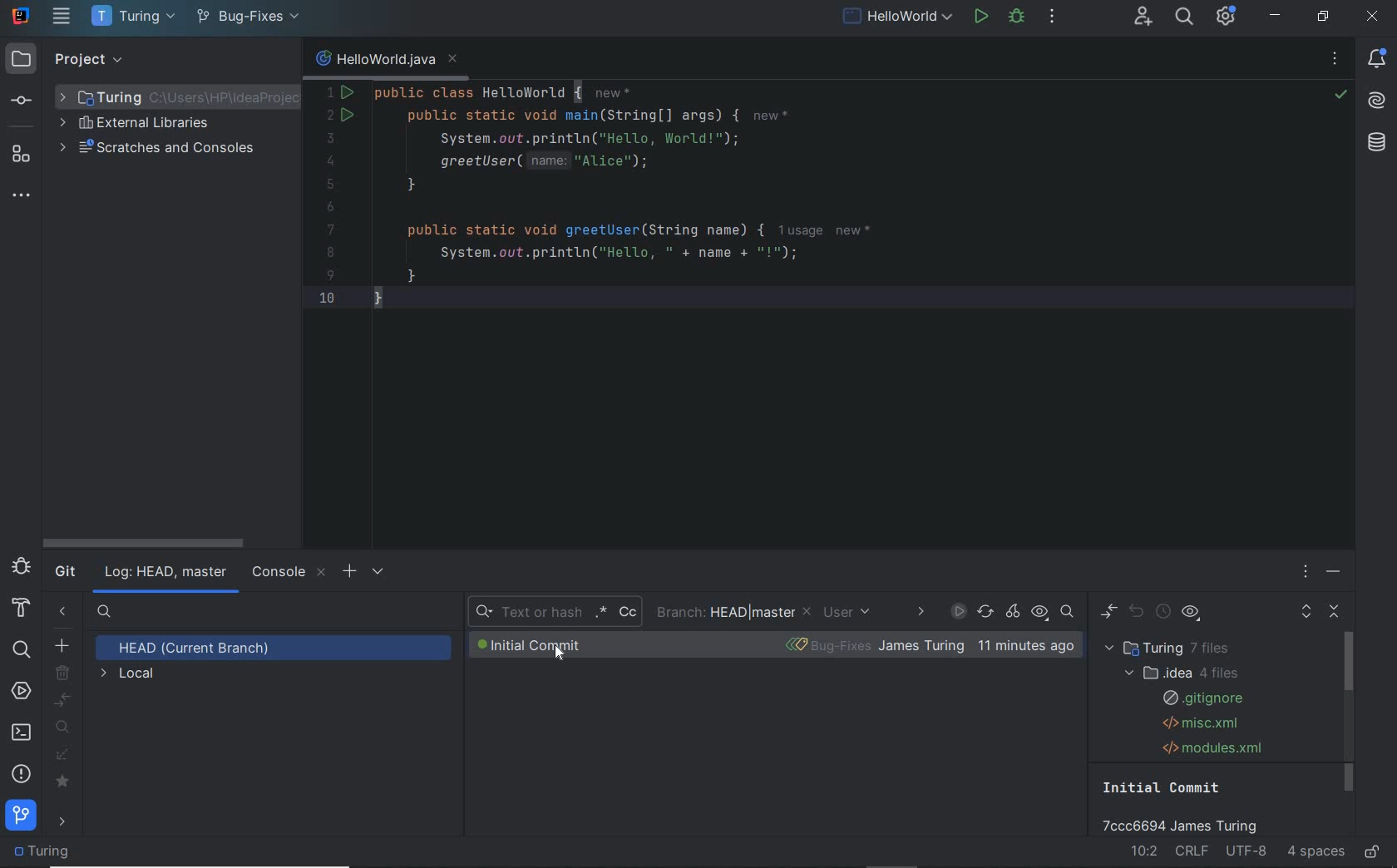 This screenshot has height=868, width=1397. What do you see at coordinates (22, 14) in the screenshot?
I see `system name` at bounding box center [22, 14].